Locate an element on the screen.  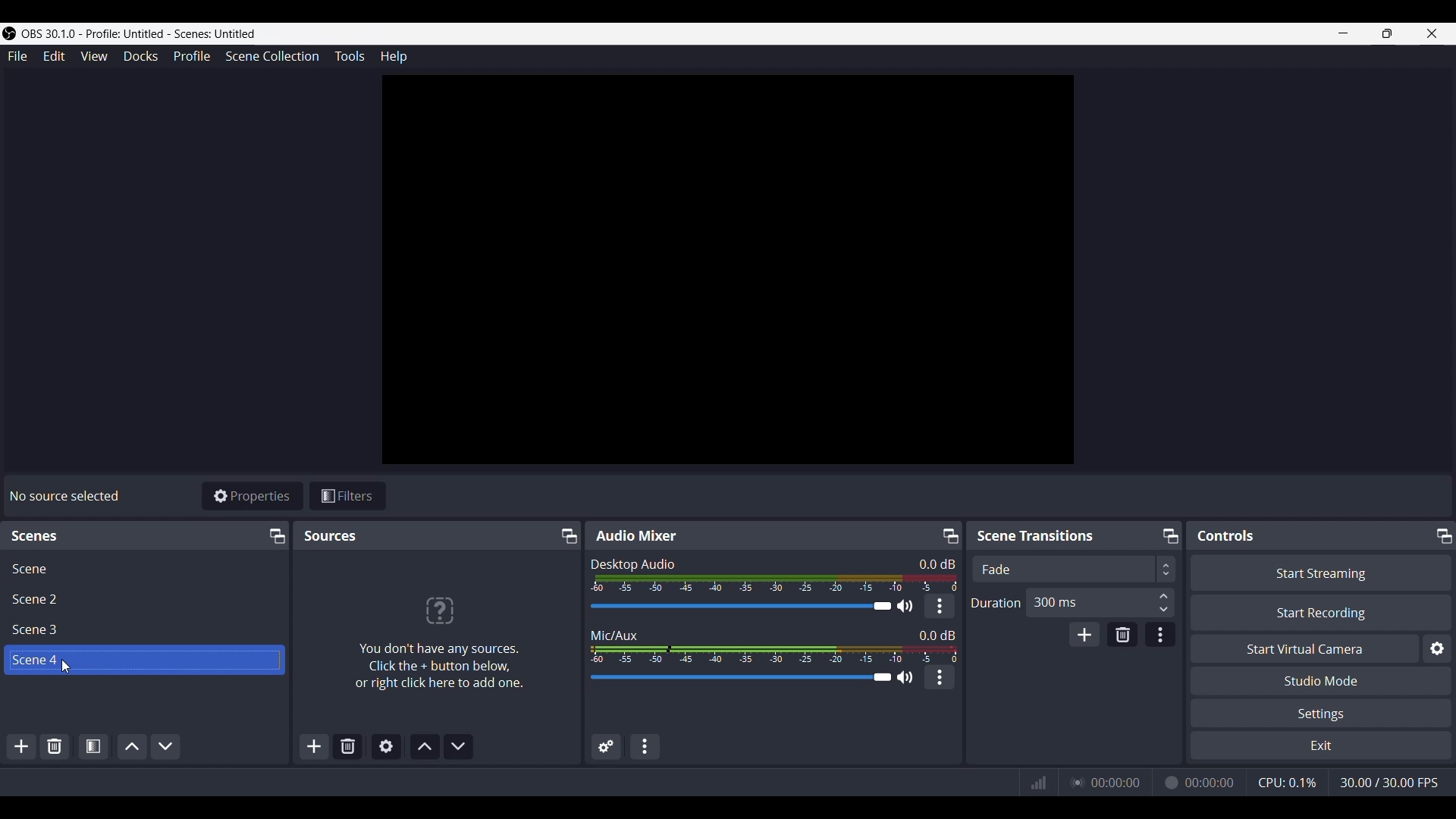
Add source is located at coordinates (315, 745).